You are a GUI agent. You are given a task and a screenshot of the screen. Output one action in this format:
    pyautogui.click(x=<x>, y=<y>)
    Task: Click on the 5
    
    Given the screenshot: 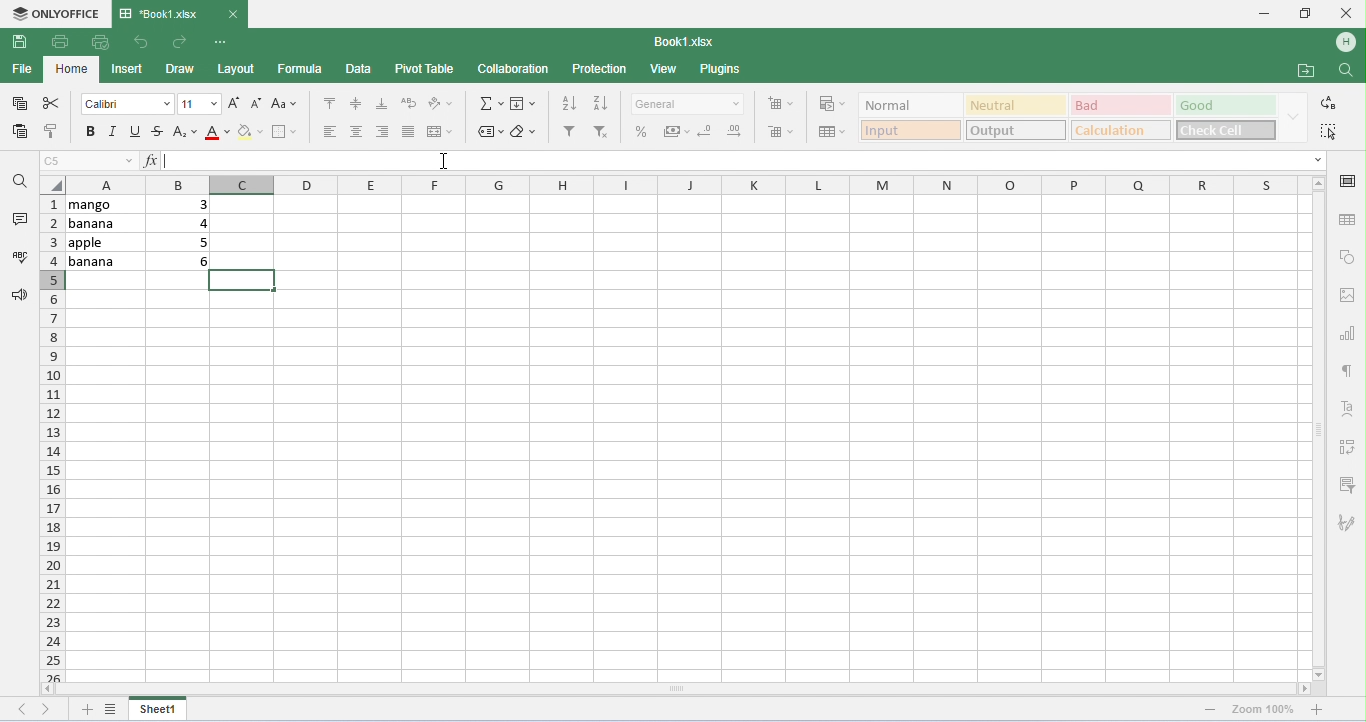 What is the action you would take?
    pyautogui.click(x=199, y=243)
    